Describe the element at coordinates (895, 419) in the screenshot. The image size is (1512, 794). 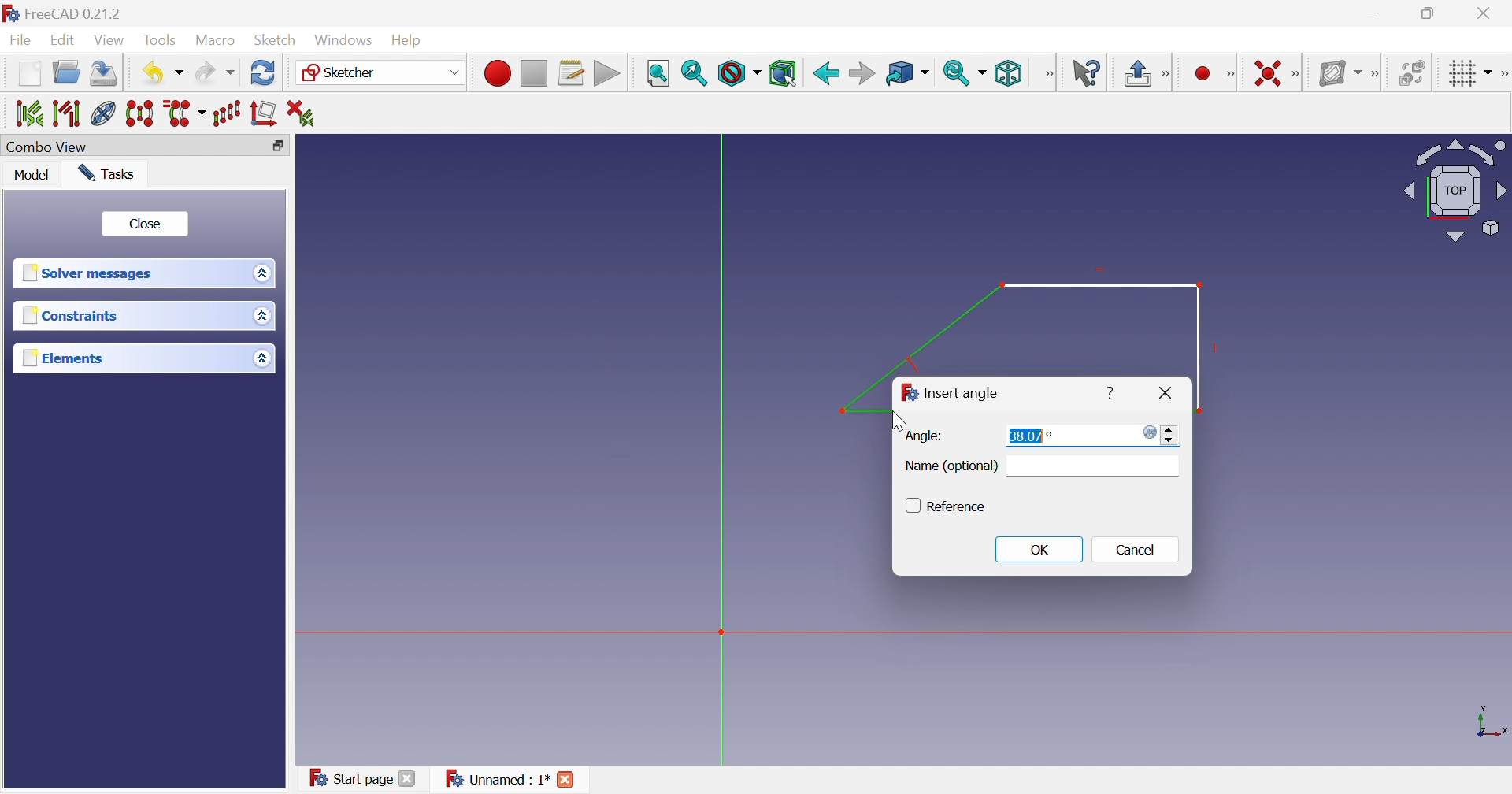
I see `Cursor` at that location.